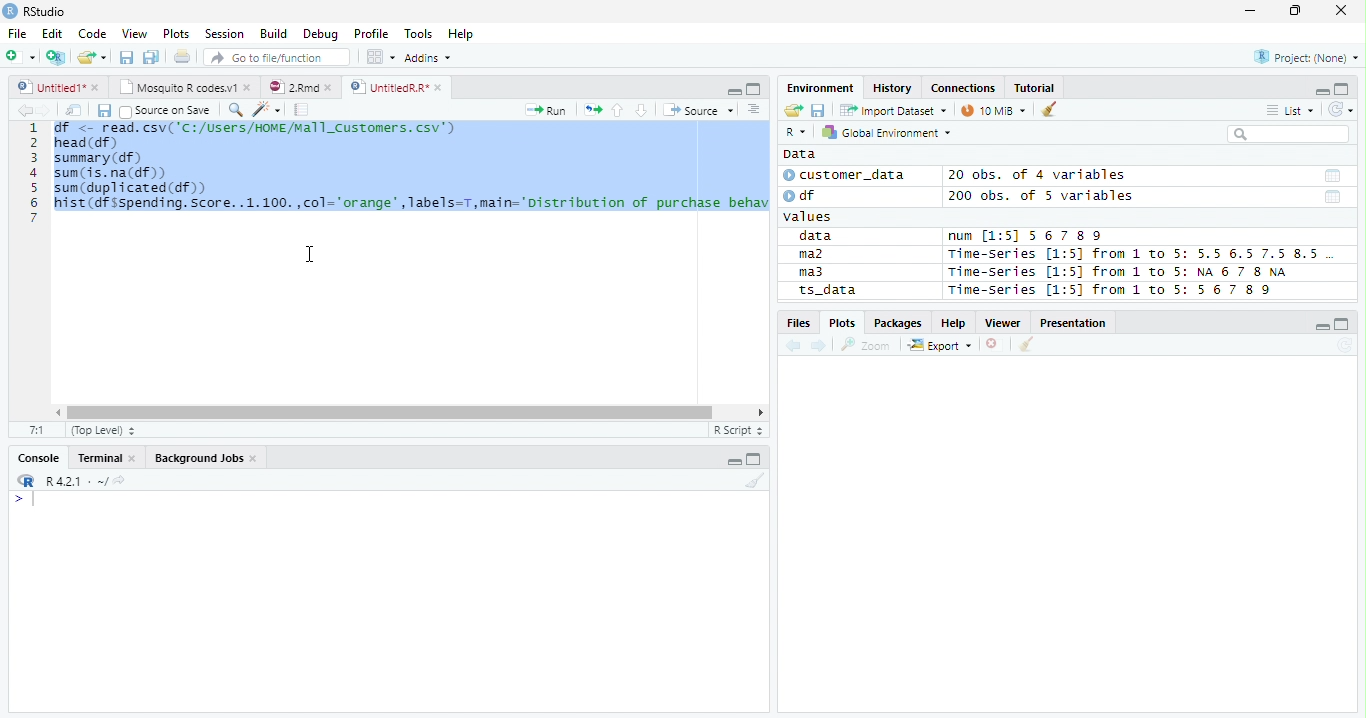  I want to click on Scroll, so click(407, 414).